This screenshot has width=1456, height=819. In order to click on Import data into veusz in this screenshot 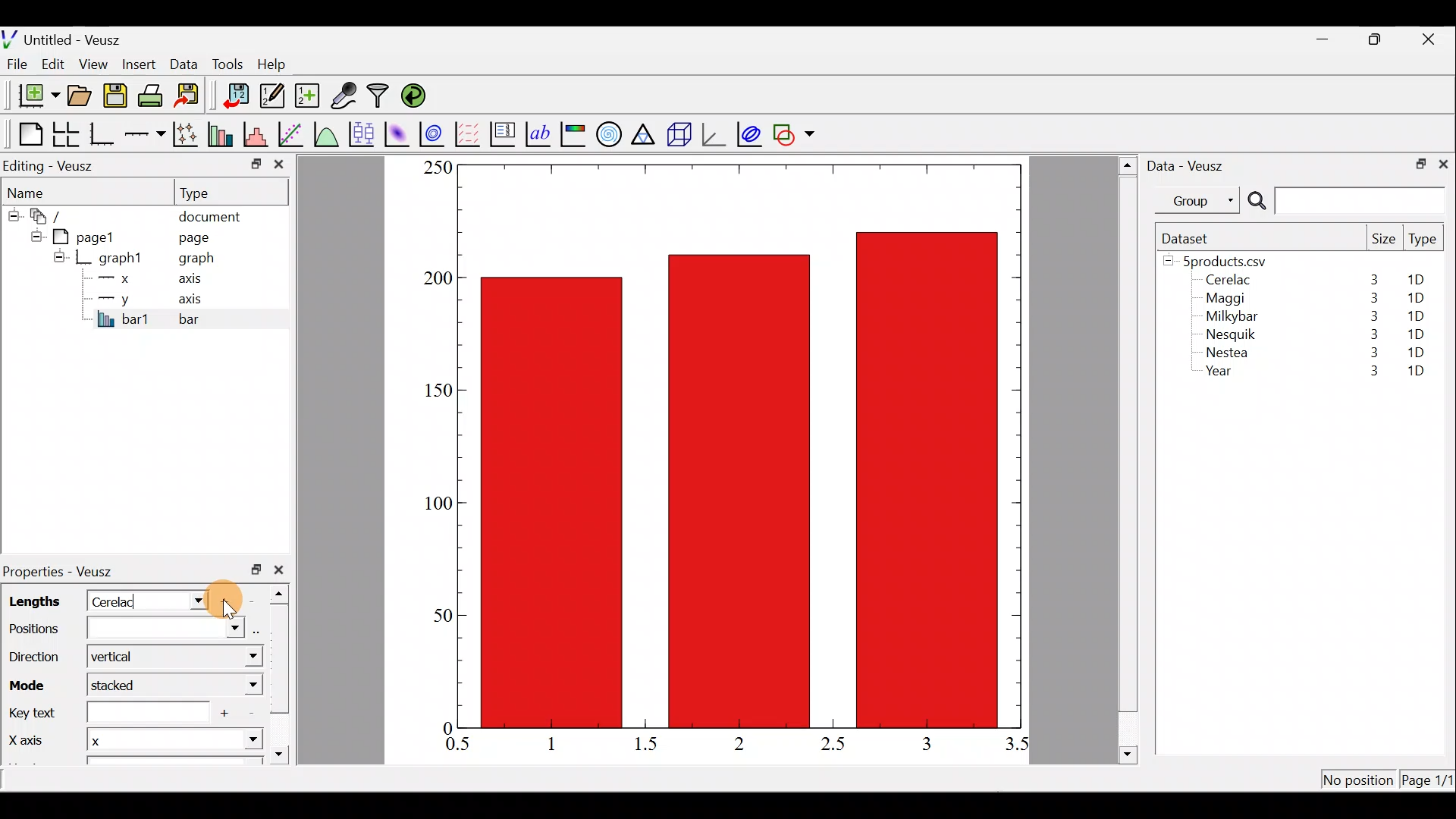, I will do `click(237, 96)`.